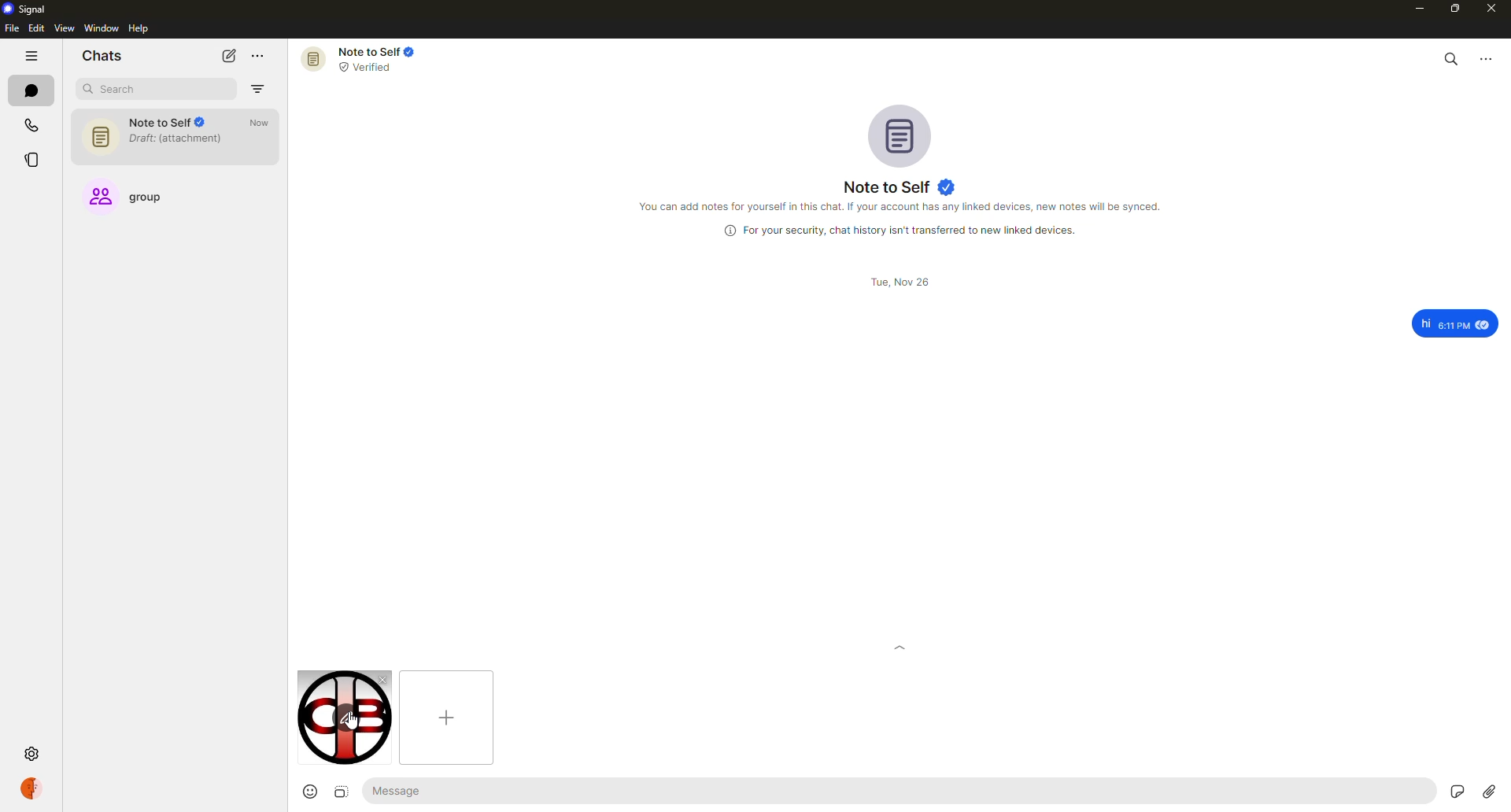 Image resolution: width=1511 pixels, height=812 pixels. What do you see at coordinates (904, 282) in the screenshot?
I see `date` at bounding box center [904, 282].